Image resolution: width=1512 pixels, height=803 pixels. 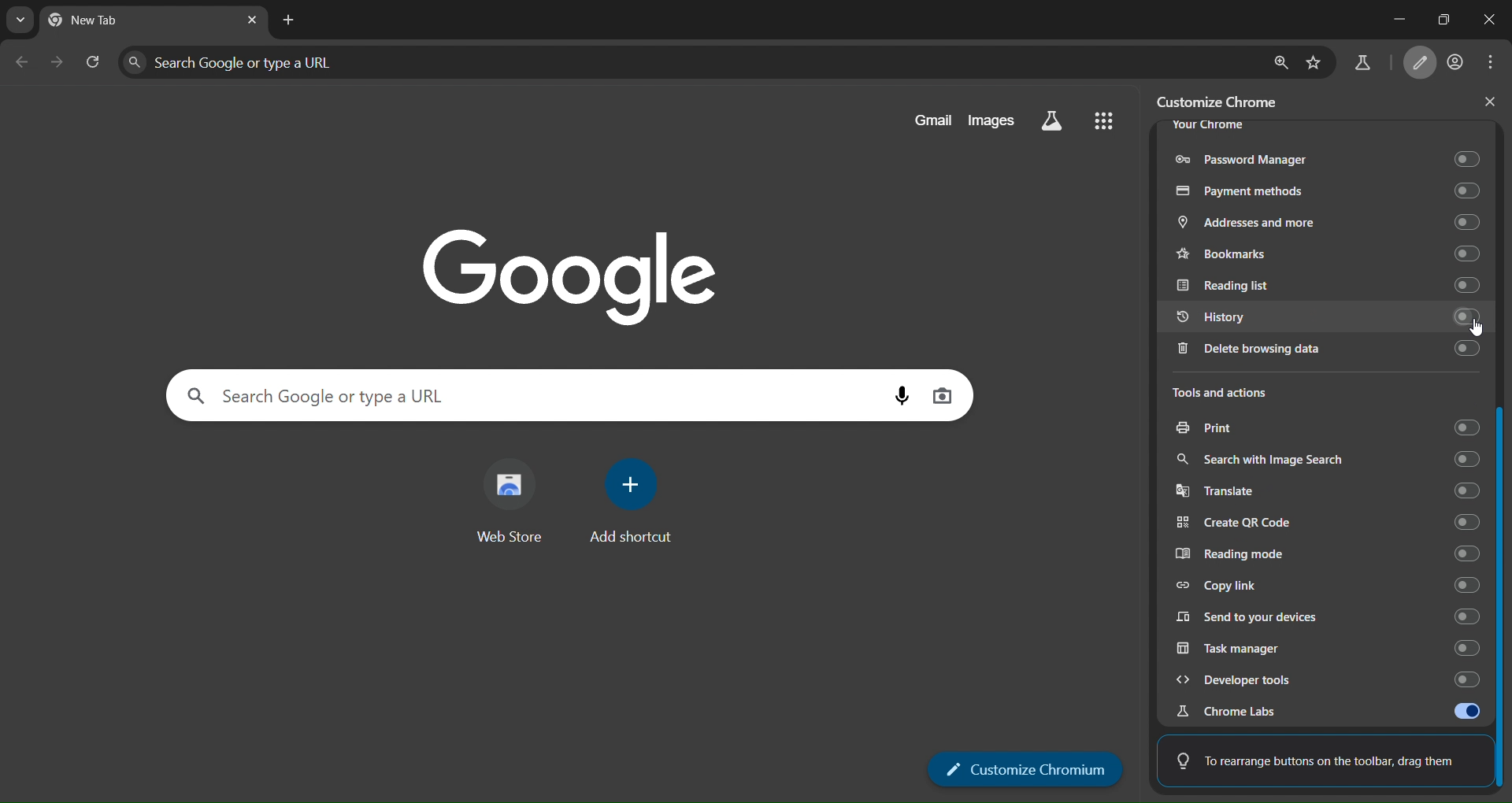 I want to click on current tab, so click(x=105, y=23).